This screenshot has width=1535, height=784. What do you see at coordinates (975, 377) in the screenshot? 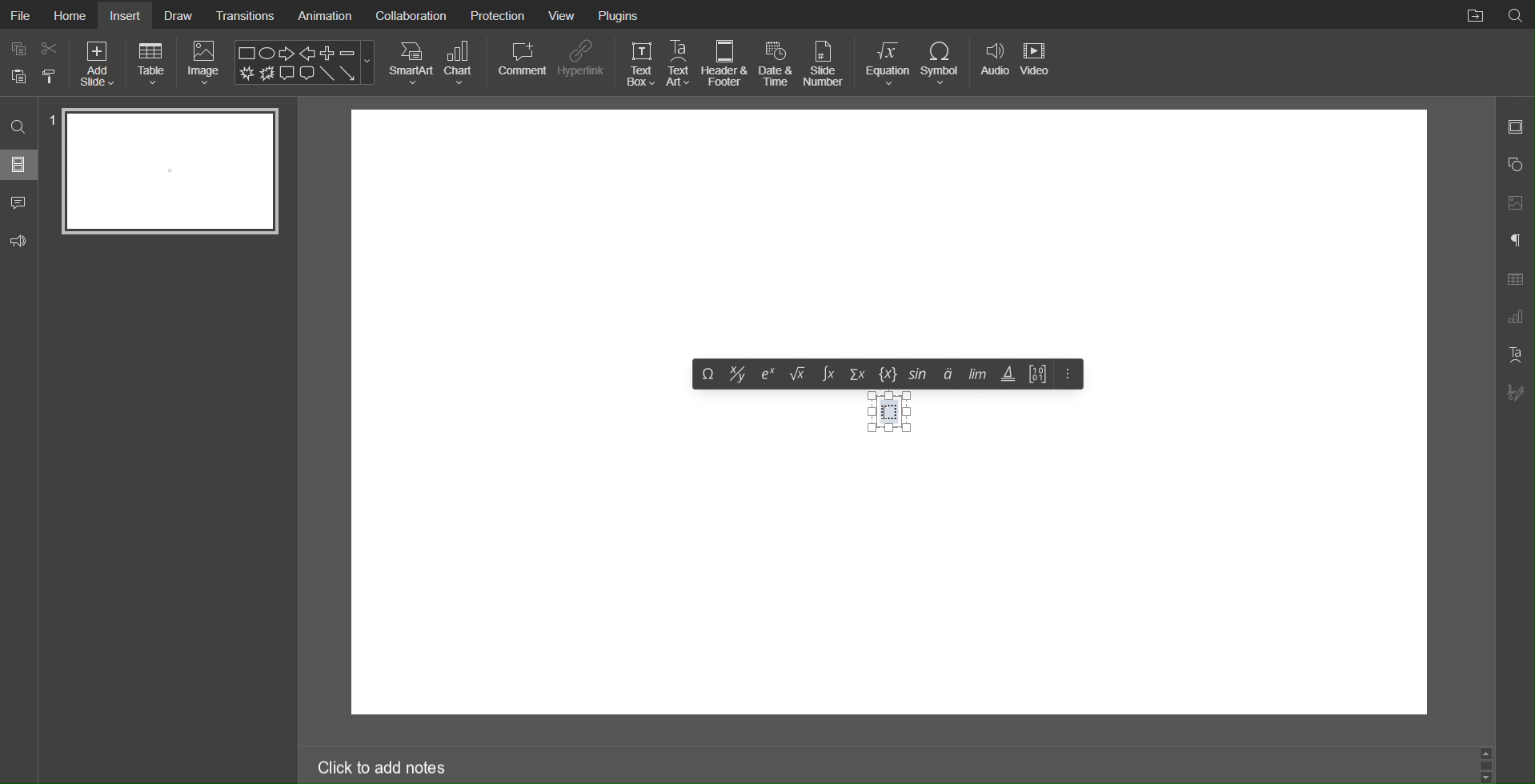
I see `Limit` at bounding box center [975, 377].